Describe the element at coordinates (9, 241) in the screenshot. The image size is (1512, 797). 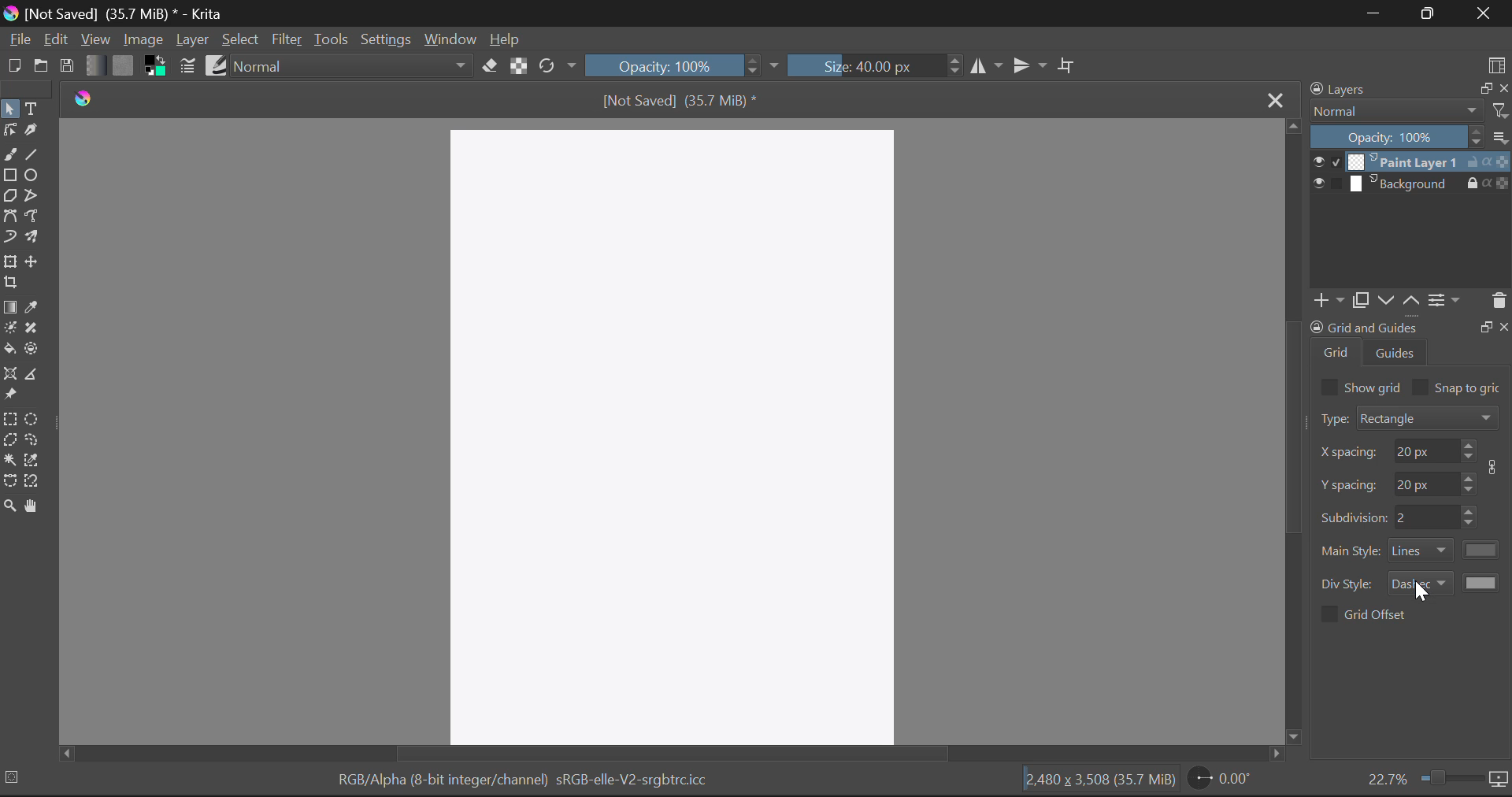
I see `Dynamic Brush Tool` at that location.